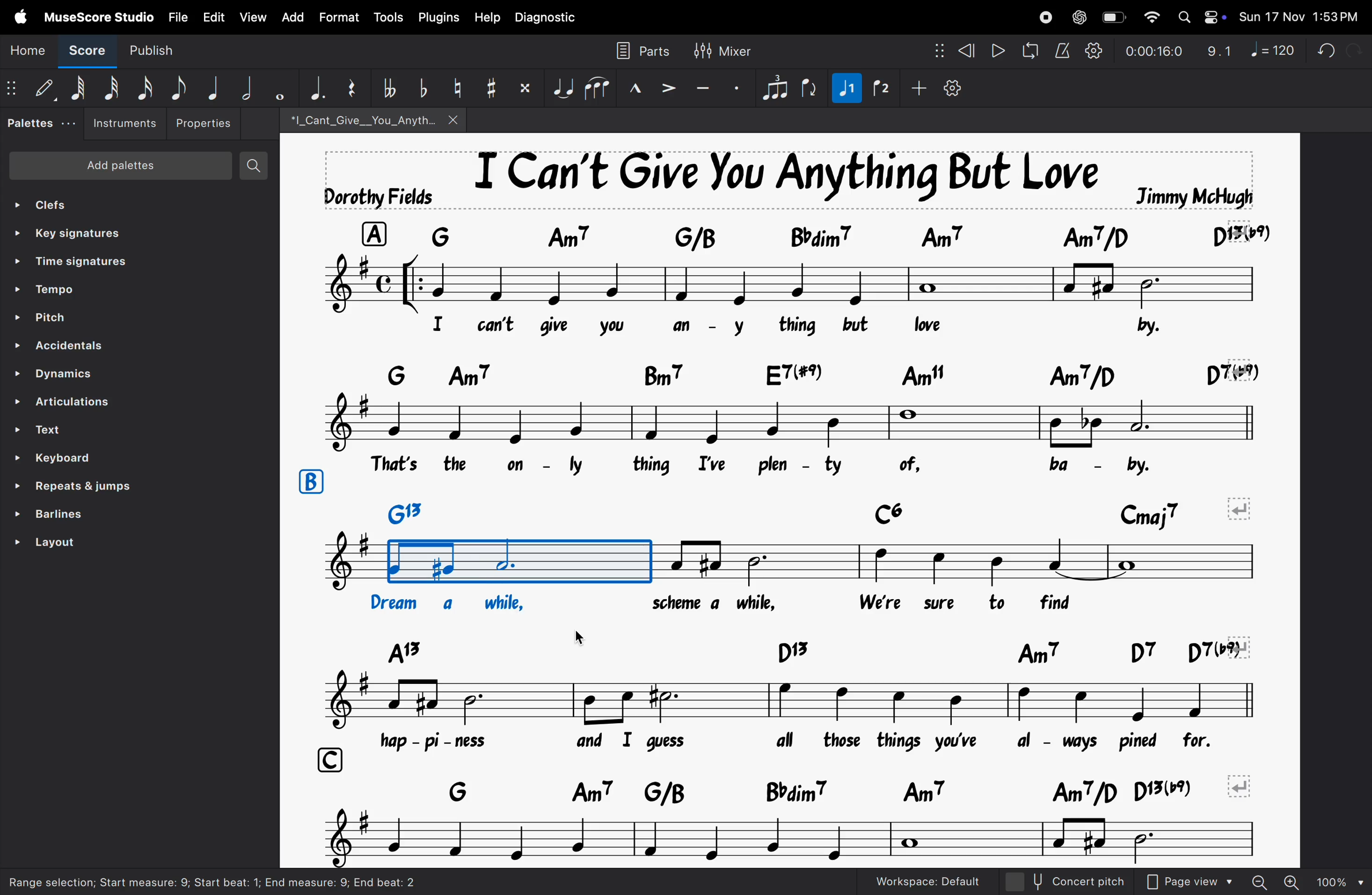 This screenshot has height=895, width=1372. I want to click on undo, so click(1322, 48).